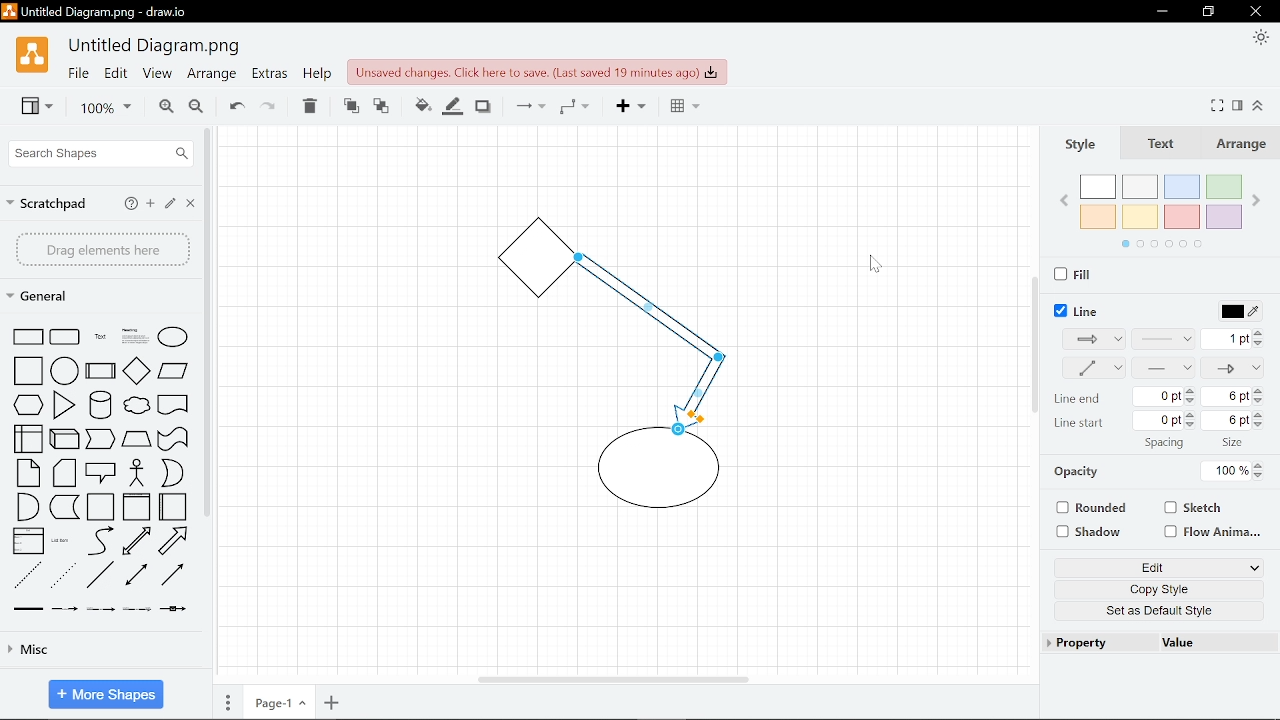 Image resolution: width=1280 pixels, height=720 pixels. Describe the element at coordinates (109, 14) in the screenshot. I see `Untitled Diagram.png - draw.io` at that location.